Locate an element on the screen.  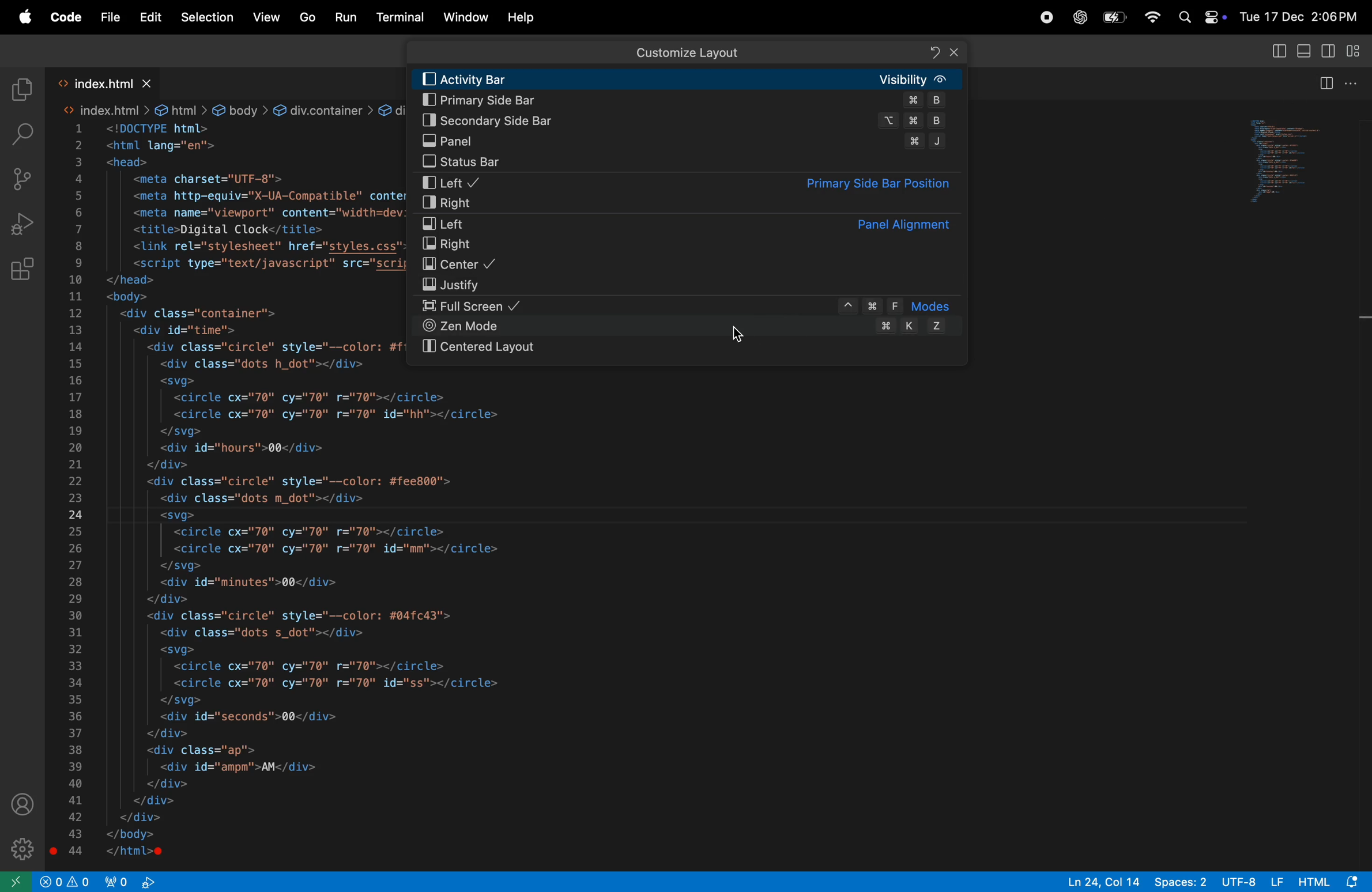
status bar is located at coordinates (691, 164).